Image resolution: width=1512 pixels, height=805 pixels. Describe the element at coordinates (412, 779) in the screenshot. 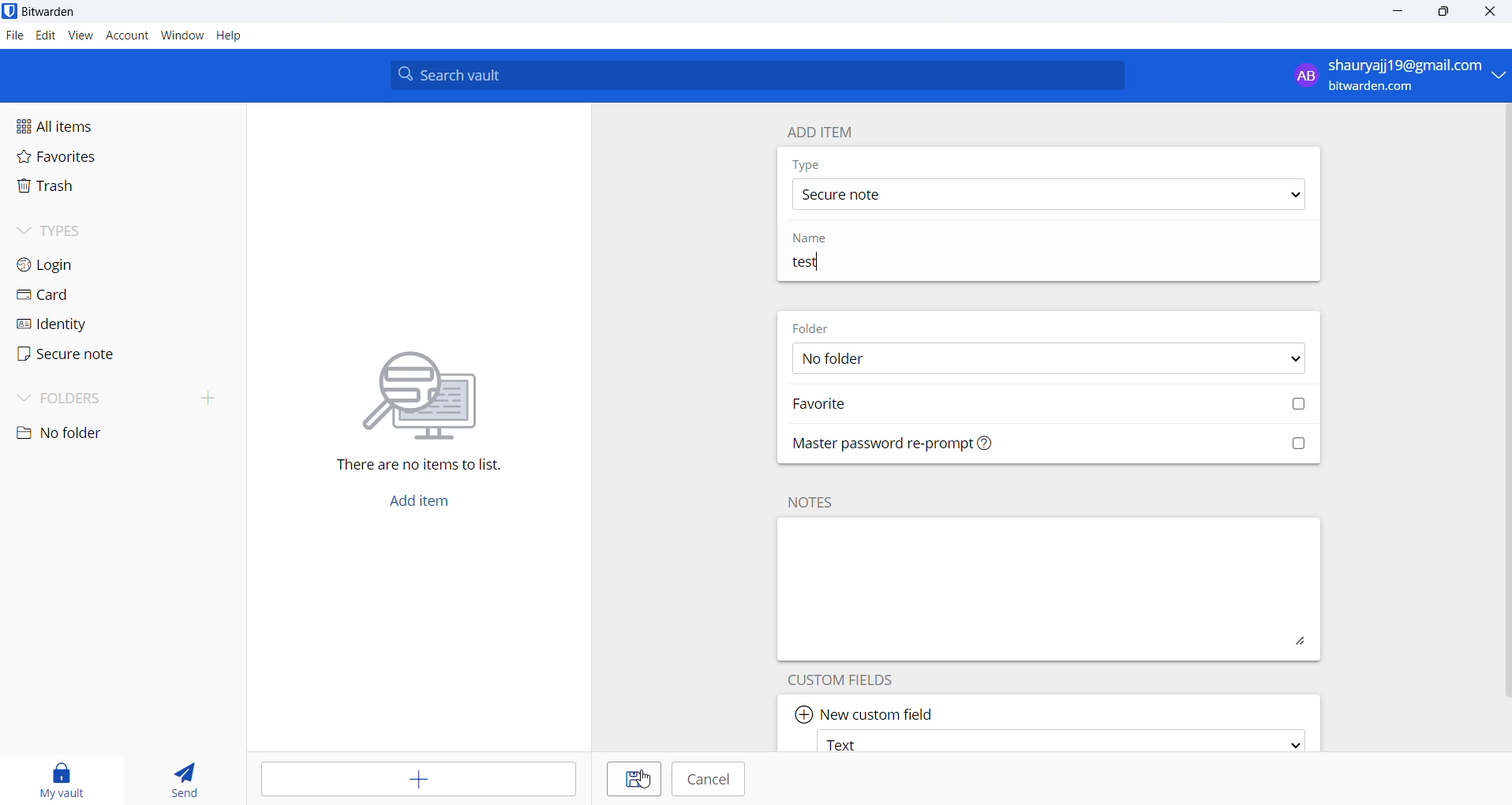

I see `add` at that location.